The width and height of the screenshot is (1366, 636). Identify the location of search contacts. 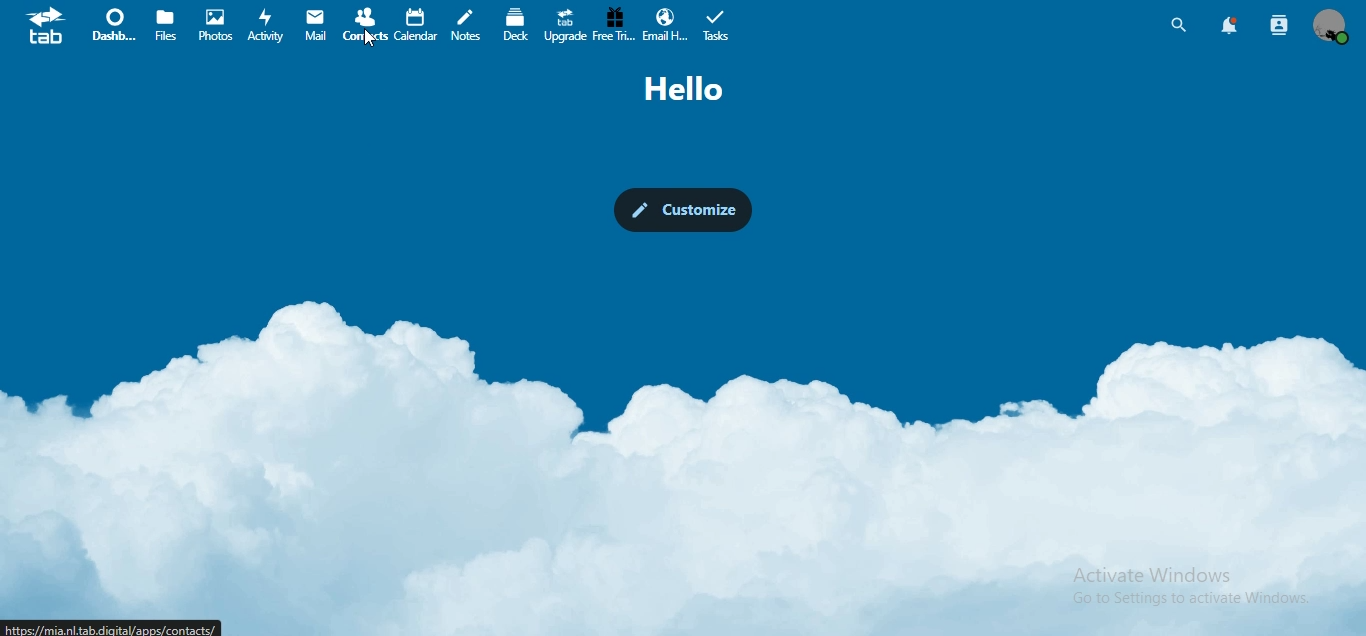
(1280, 27).